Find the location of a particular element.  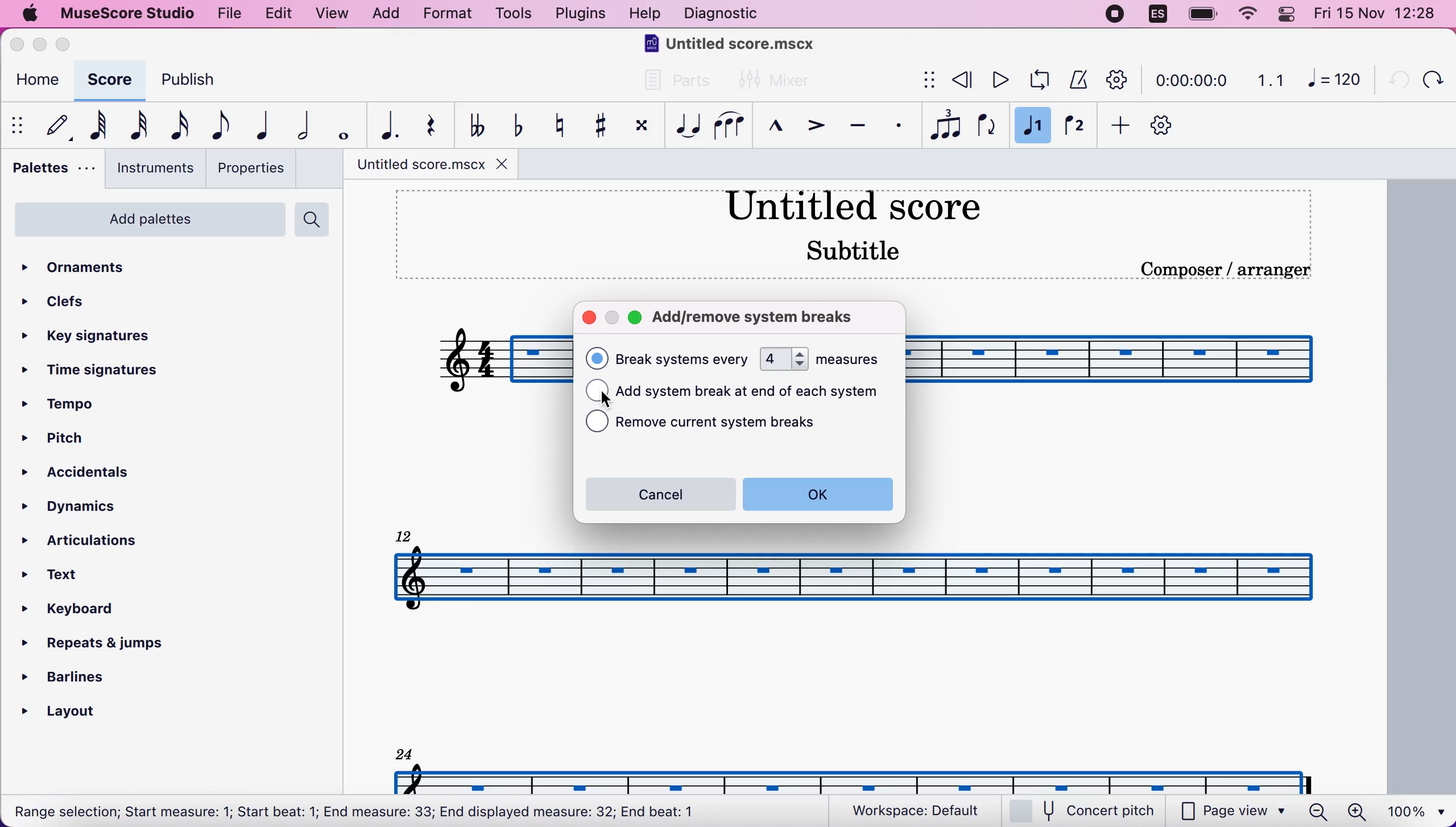

toggle double sharp is located at coordinates (640, 128).